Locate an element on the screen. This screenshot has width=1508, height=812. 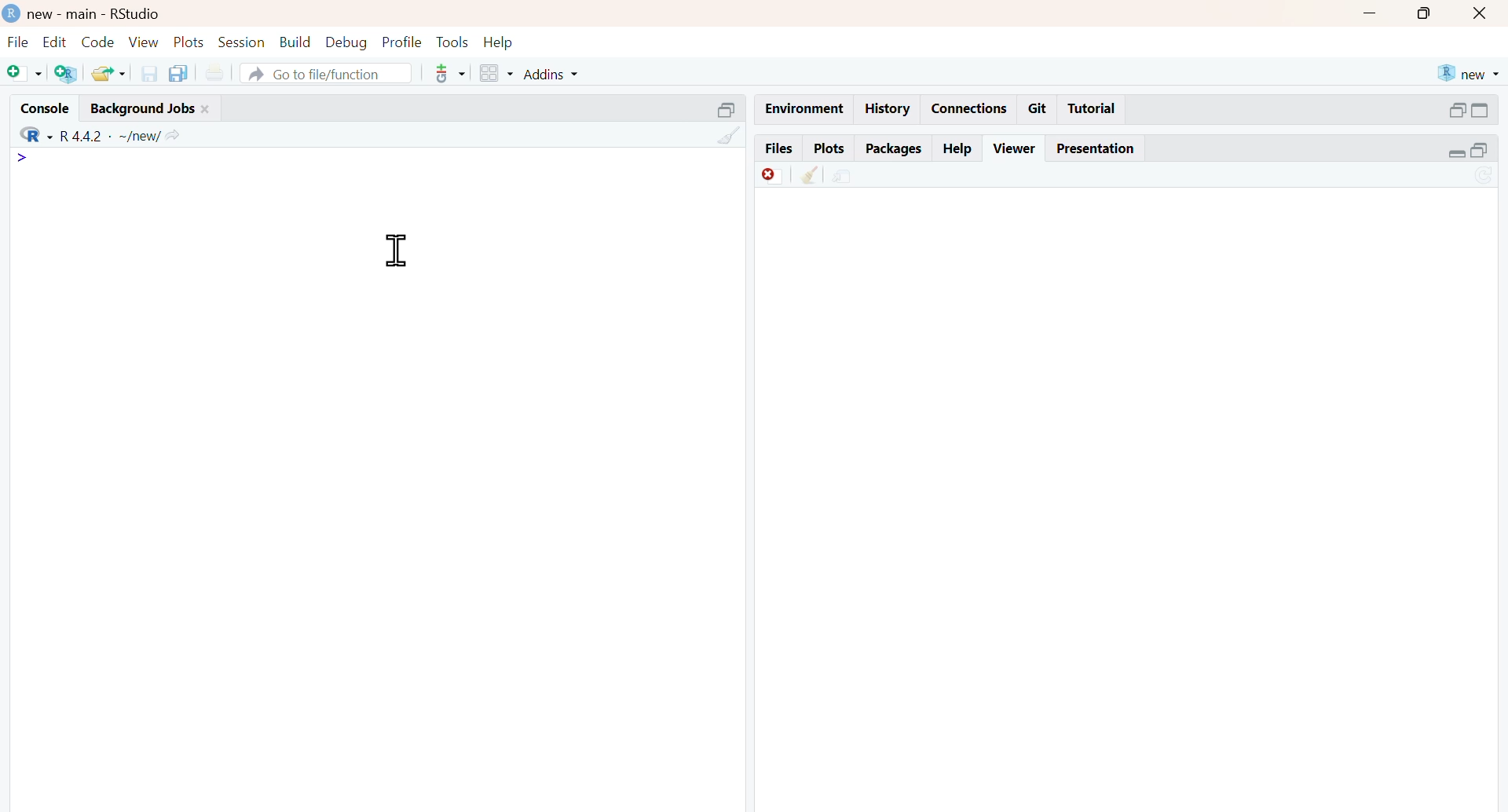
share folder as is located at coordinates (110, 73).